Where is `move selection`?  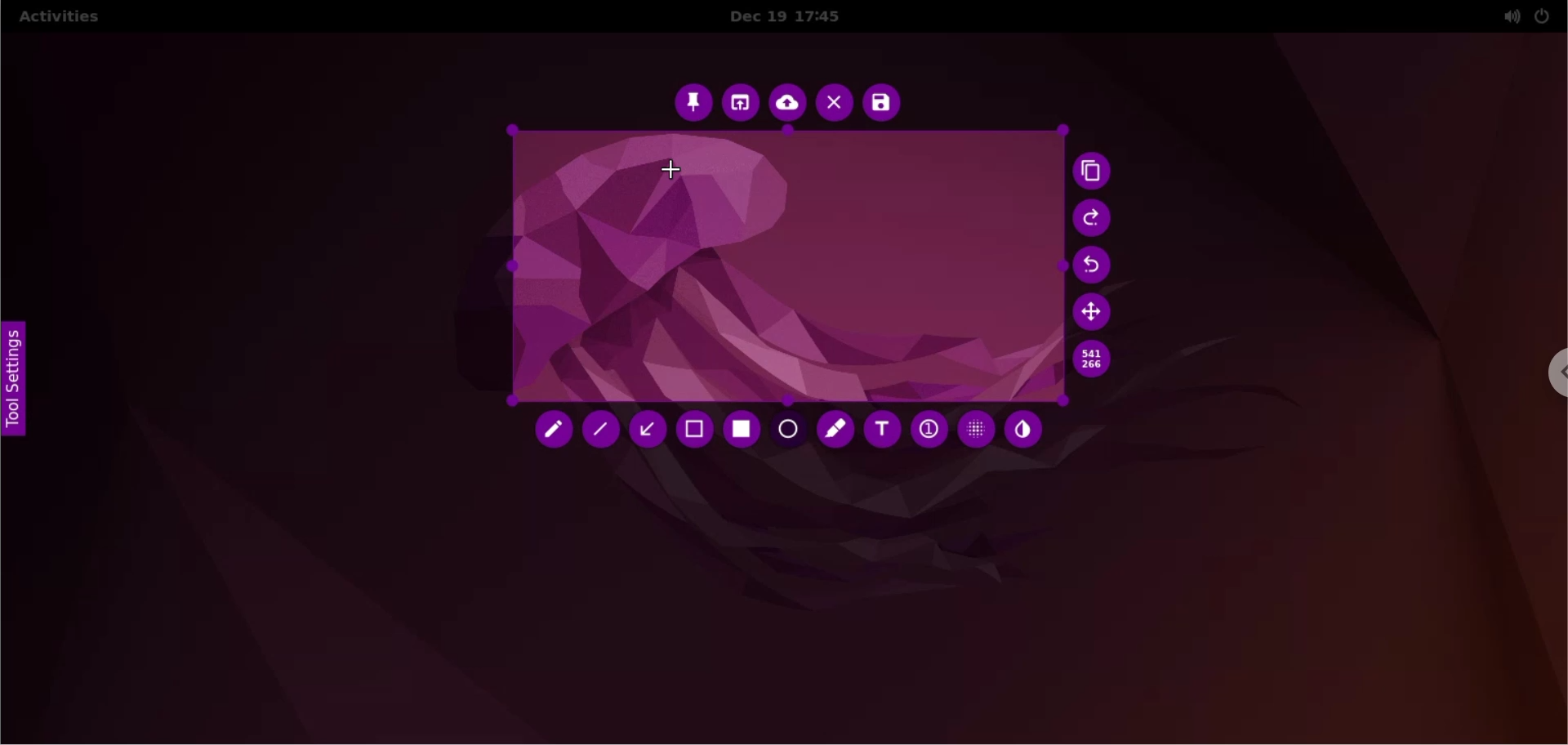
move selection is located at coordinates (1095, 311).